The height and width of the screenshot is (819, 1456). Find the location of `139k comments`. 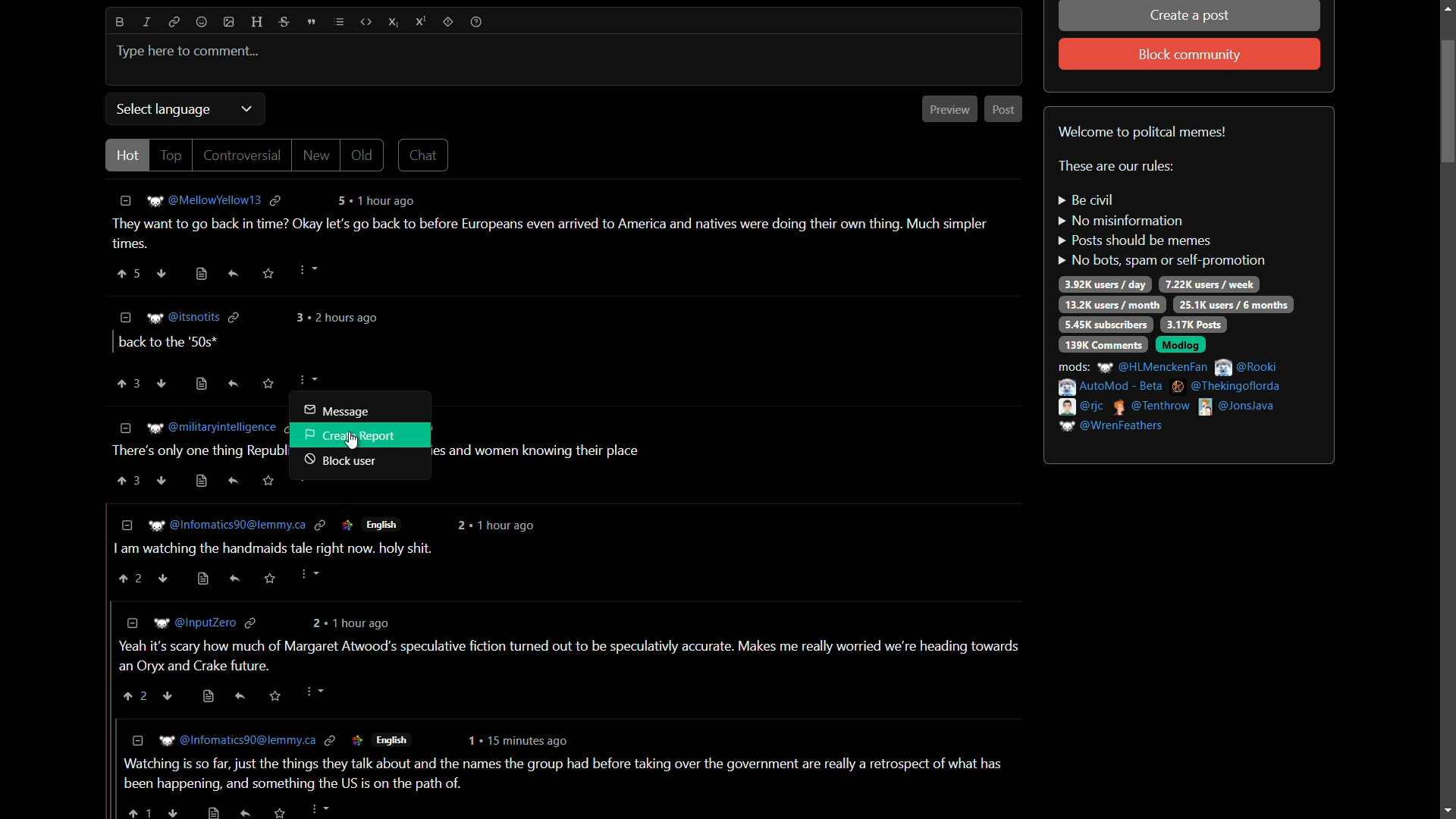

139k comments is located at coordinates (1103, 344).